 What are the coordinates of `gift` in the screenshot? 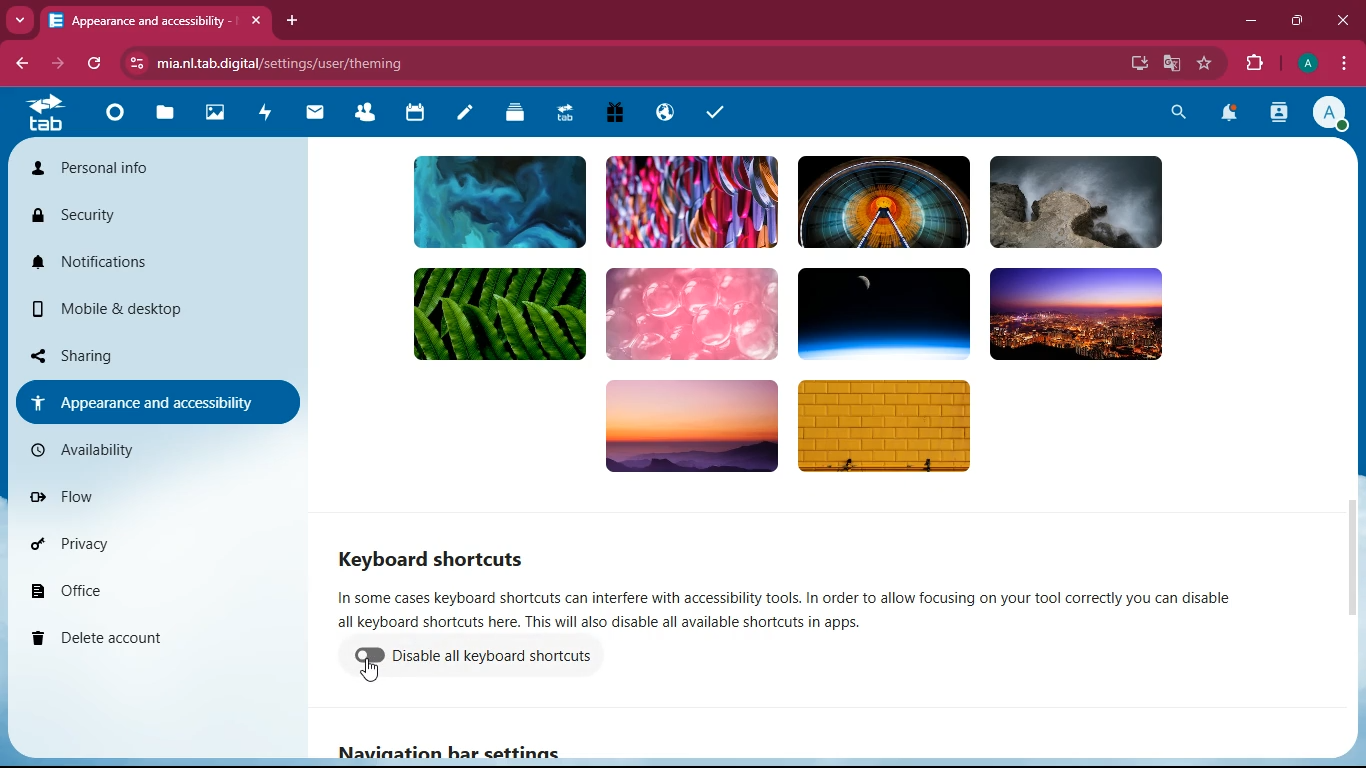 It's located at (616, 112).